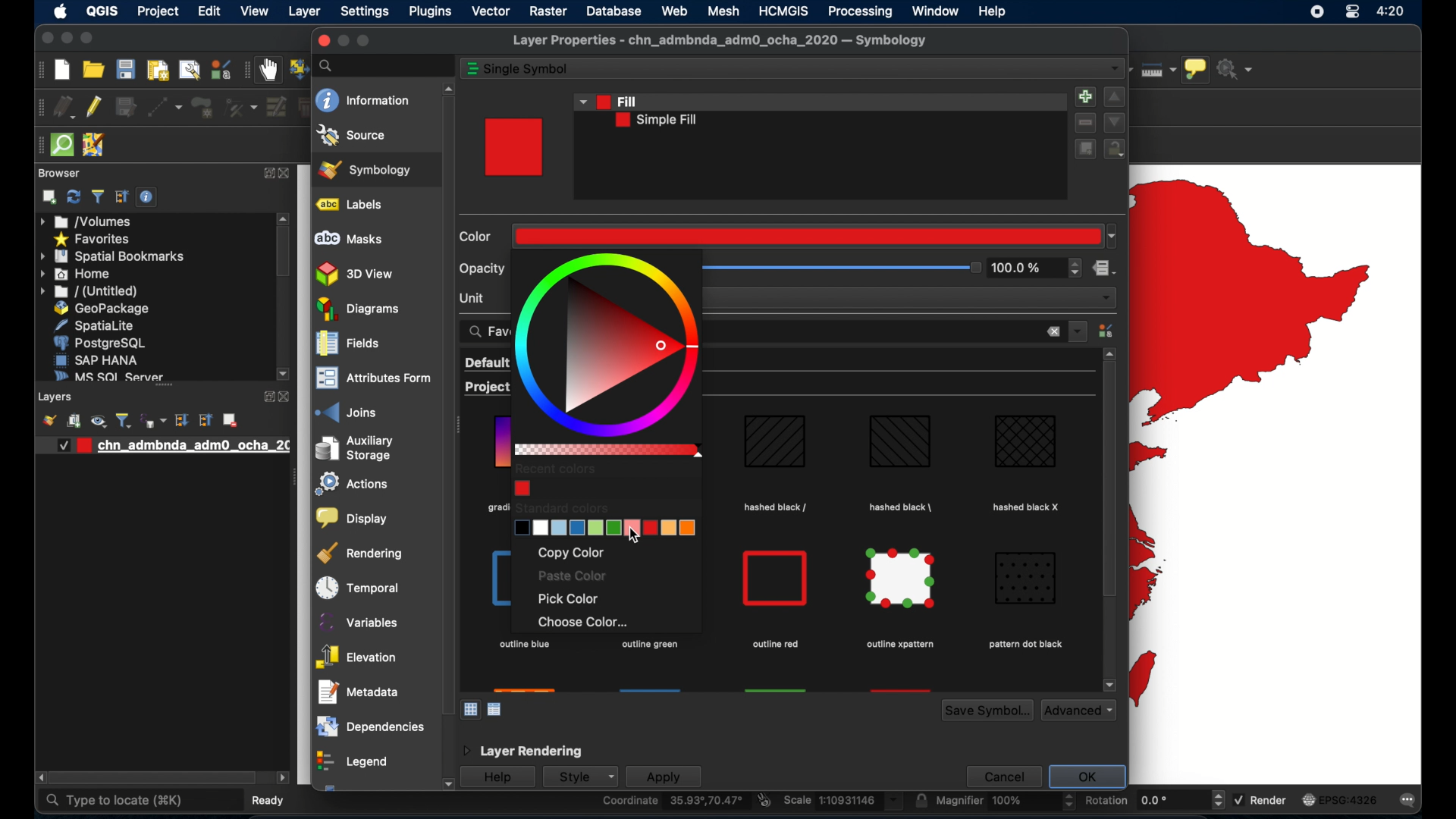  I want to click on color, so click(478, 237).